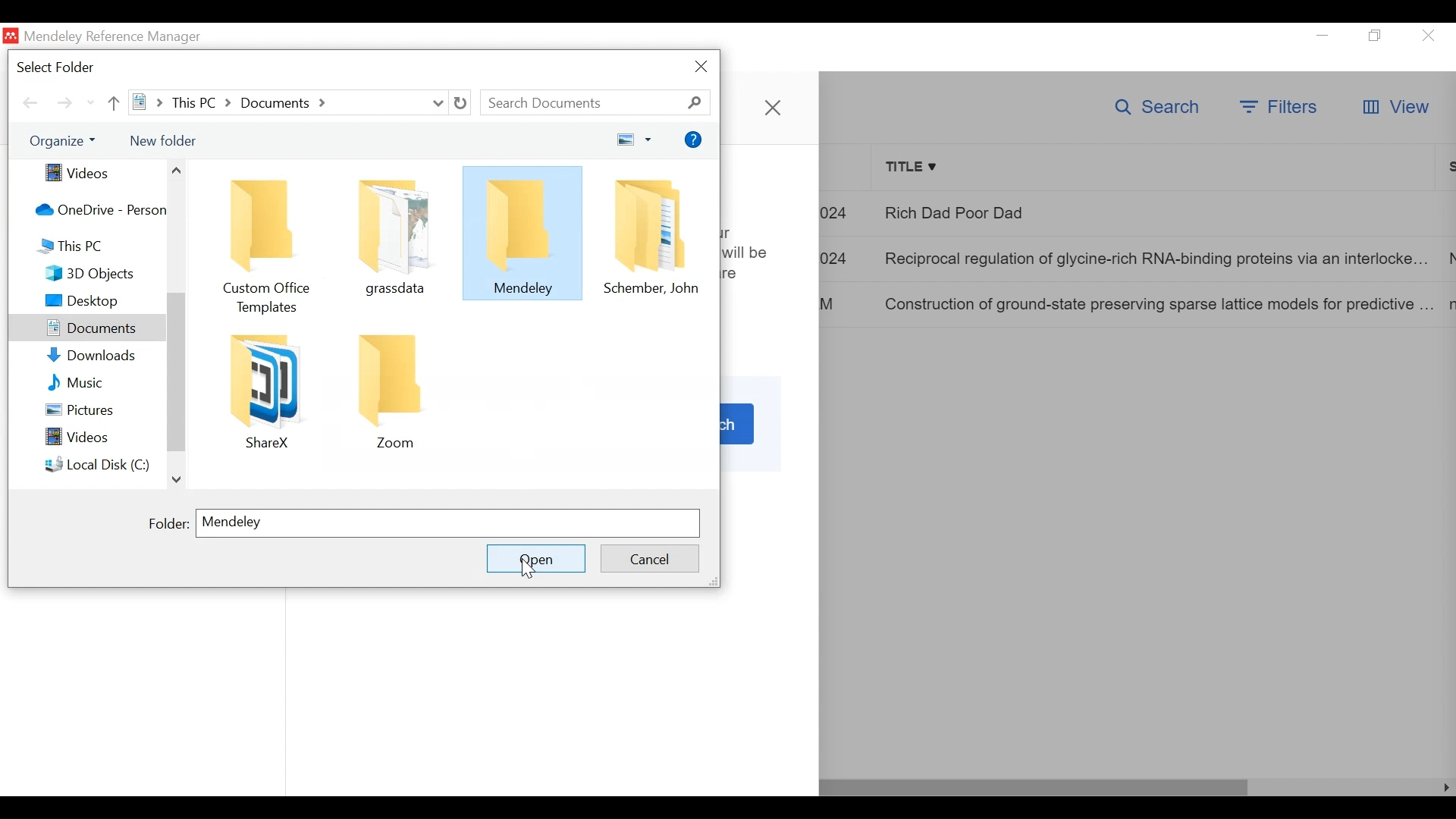 Image resolution: width=1456 pixels, height=819 pixels. Describe the element at coordinates (99, 465) in the screenshot. I see `Local Disk (C:)` at that location.